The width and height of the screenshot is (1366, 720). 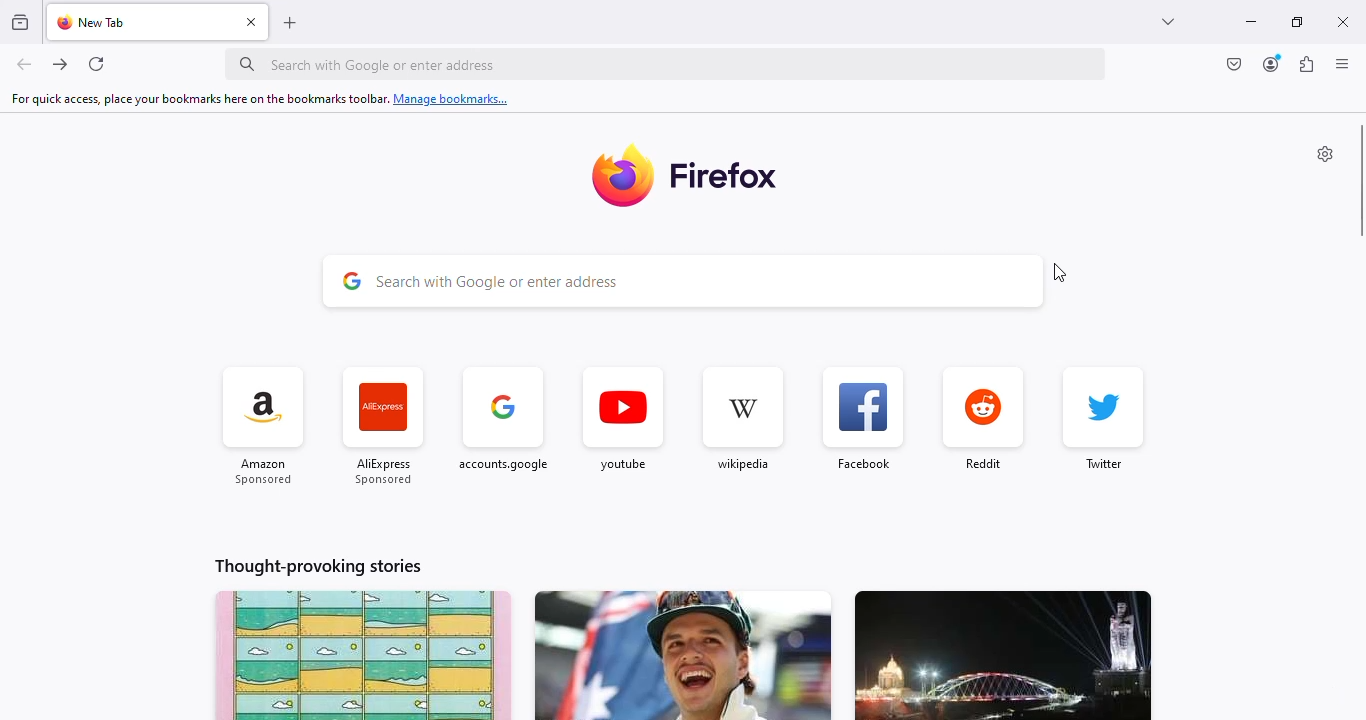 I want to click on logo, so click(x=620, y=178).